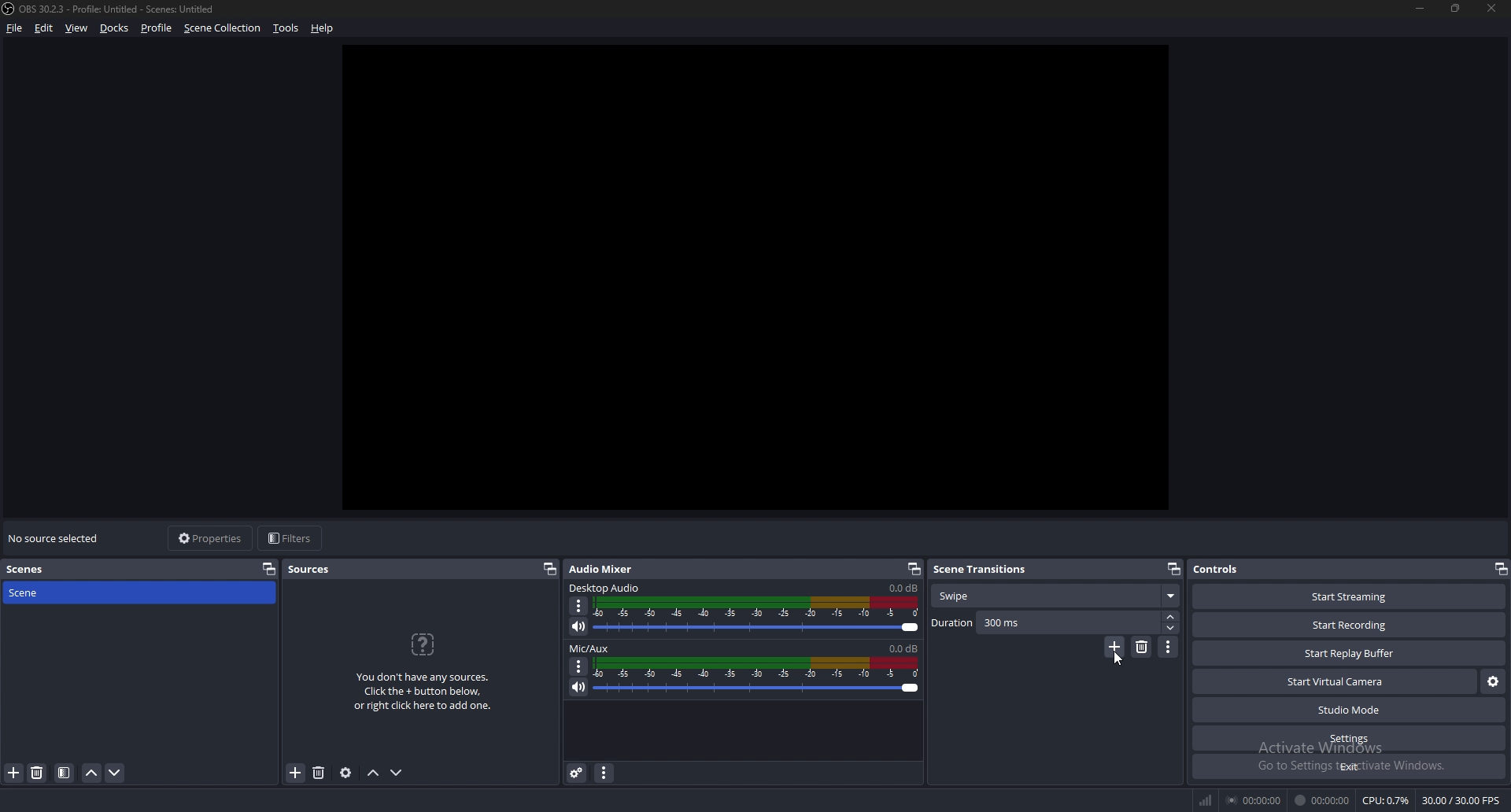 The width and height of the screenshot is (1511, 812). Describe the element at coordinates (982, 570) in the screenshot. I see `scene transitions` at that location.